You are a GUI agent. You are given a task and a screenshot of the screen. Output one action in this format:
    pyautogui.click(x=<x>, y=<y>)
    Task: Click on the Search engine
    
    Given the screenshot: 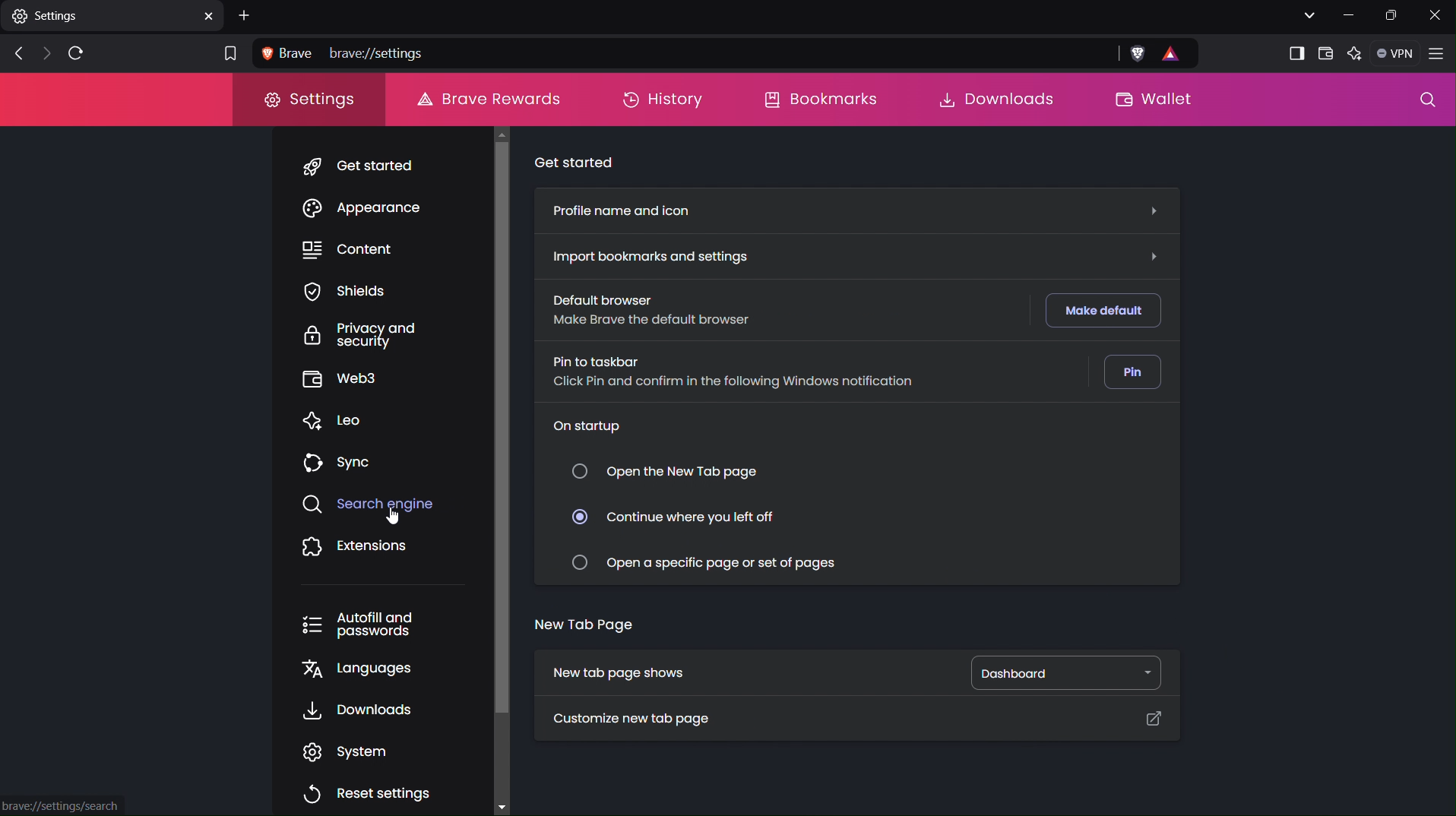 What is the action you would take?
    pyautogui.click(x=367, y=504)
    